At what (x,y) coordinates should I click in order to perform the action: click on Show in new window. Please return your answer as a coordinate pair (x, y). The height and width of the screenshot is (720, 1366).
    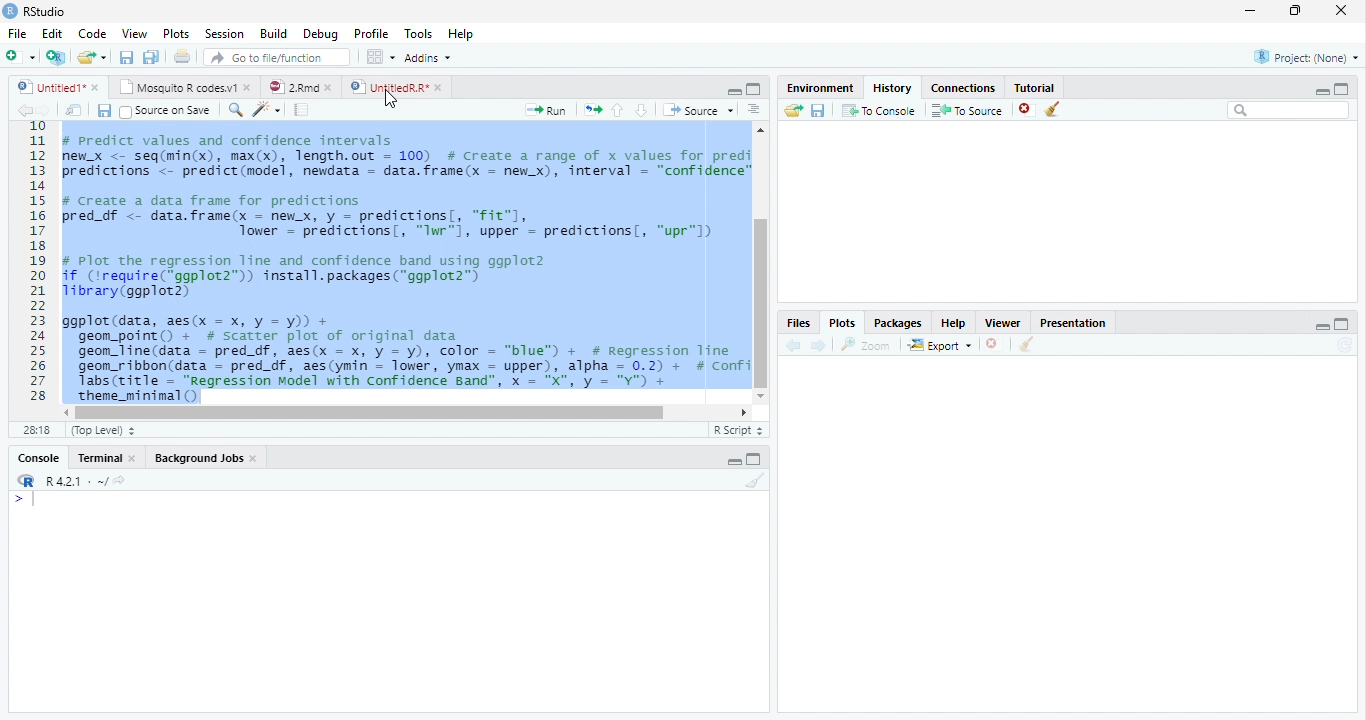
    Looking at the image, I should click on (74, 111).